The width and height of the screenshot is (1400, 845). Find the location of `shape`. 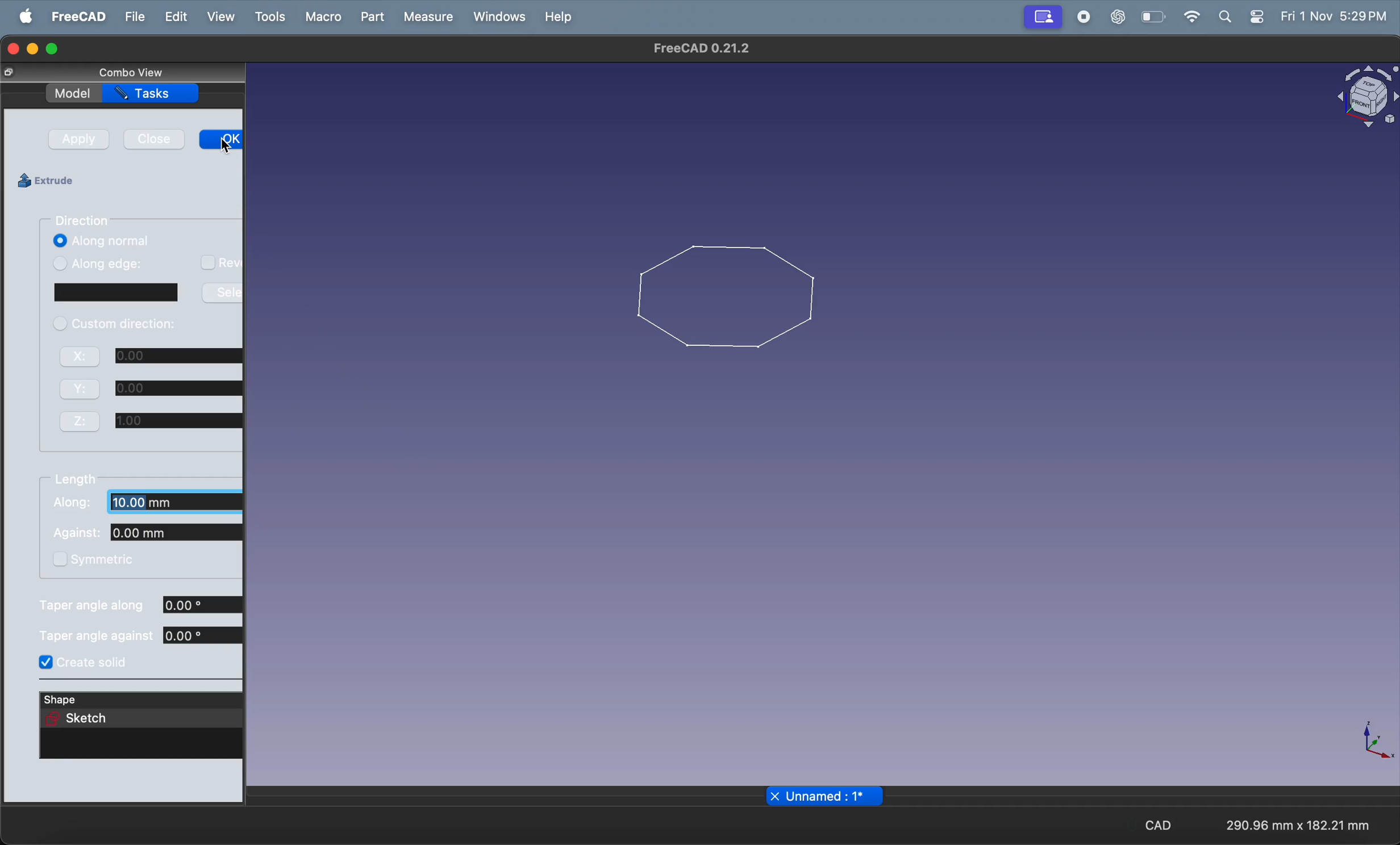

shape is located at coordinates (71, 700).